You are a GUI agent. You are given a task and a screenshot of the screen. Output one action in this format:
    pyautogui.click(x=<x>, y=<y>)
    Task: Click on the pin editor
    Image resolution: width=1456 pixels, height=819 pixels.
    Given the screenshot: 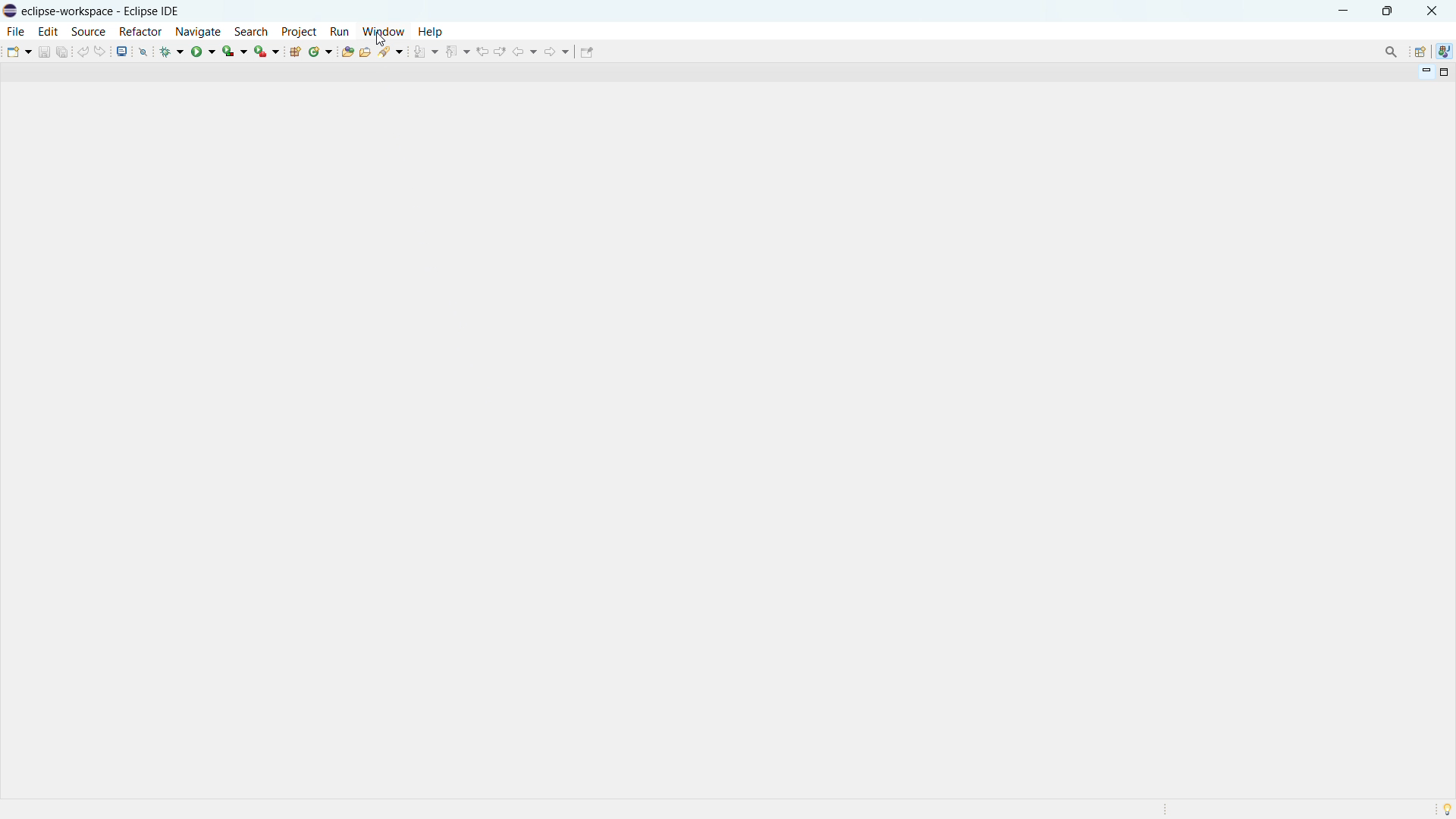 What is the action you would take?
    pyautogui.click(x=587, y=52)
    